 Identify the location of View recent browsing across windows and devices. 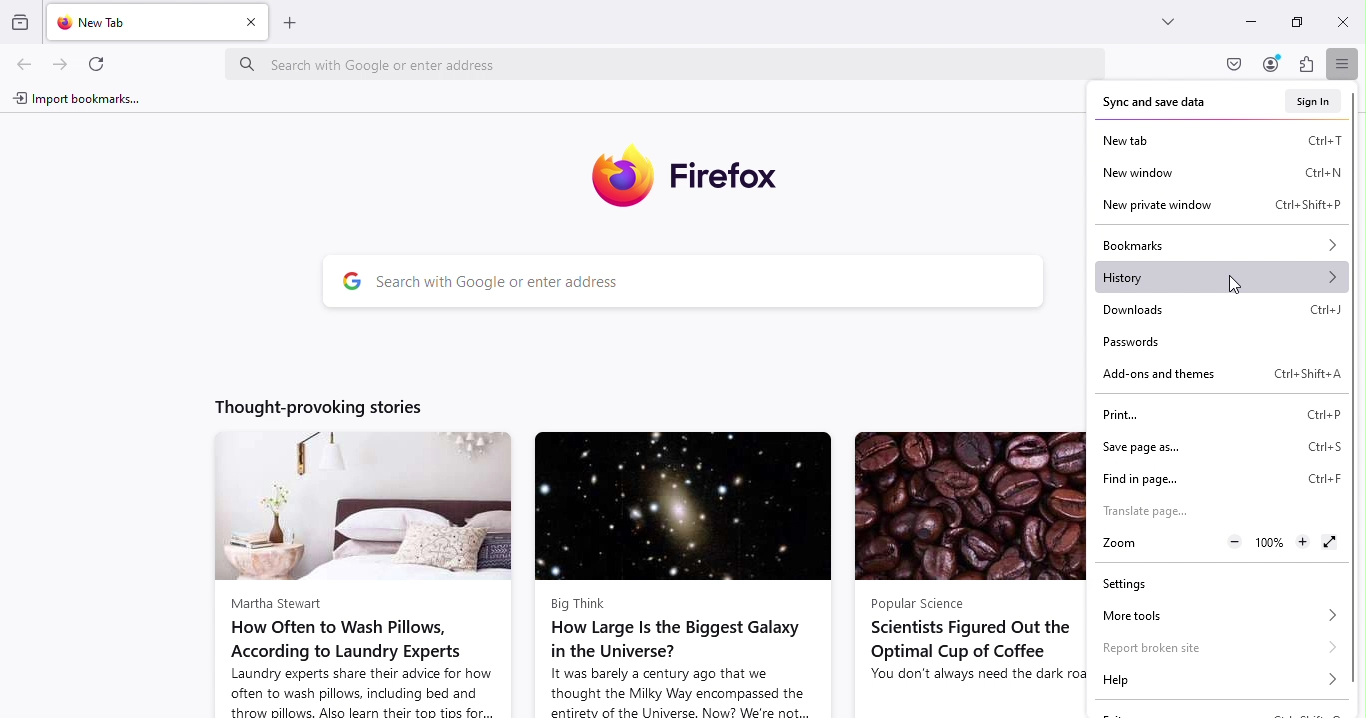
(23, 22).